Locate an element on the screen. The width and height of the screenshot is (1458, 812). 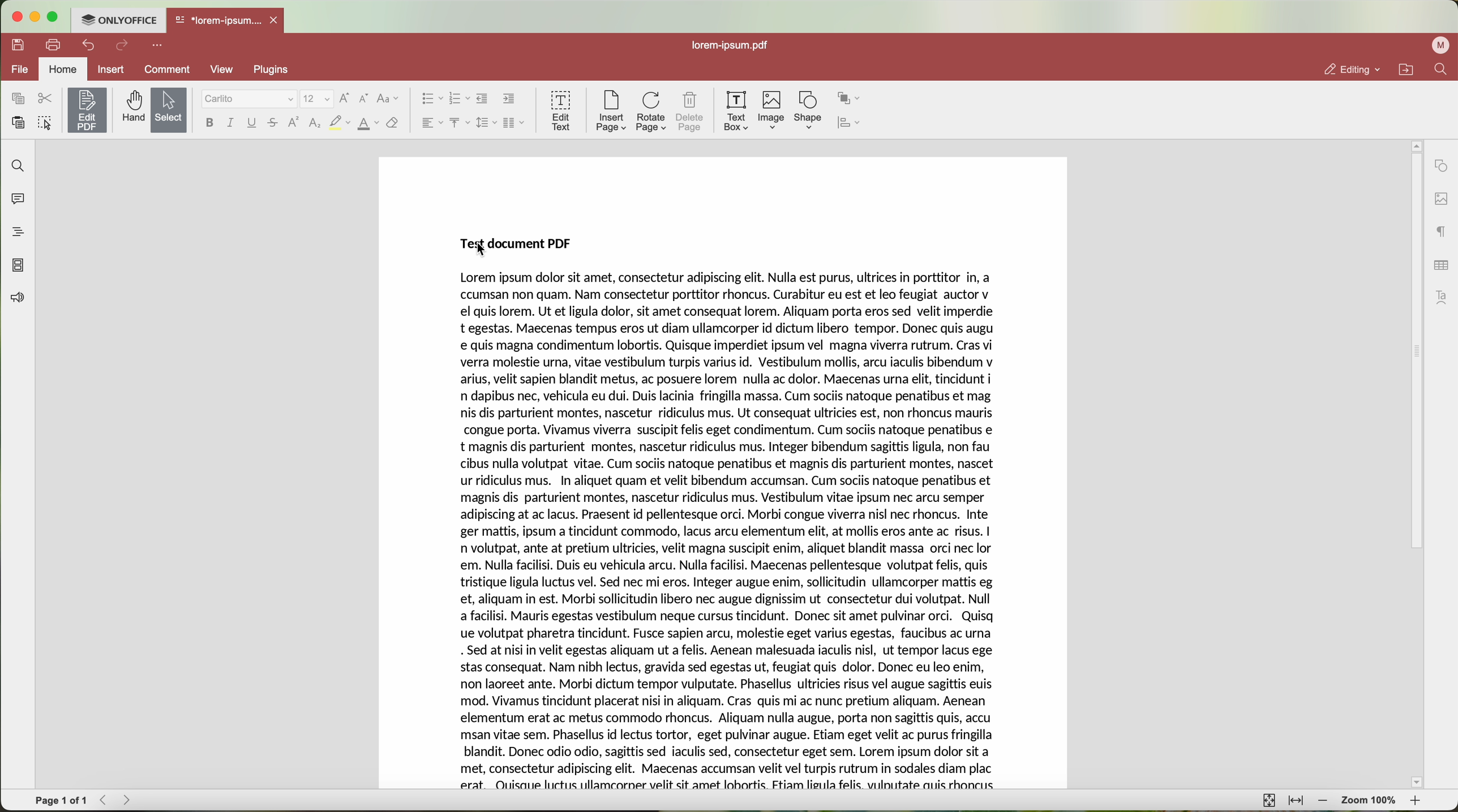
Carlito is located at coordinates (248, 99).